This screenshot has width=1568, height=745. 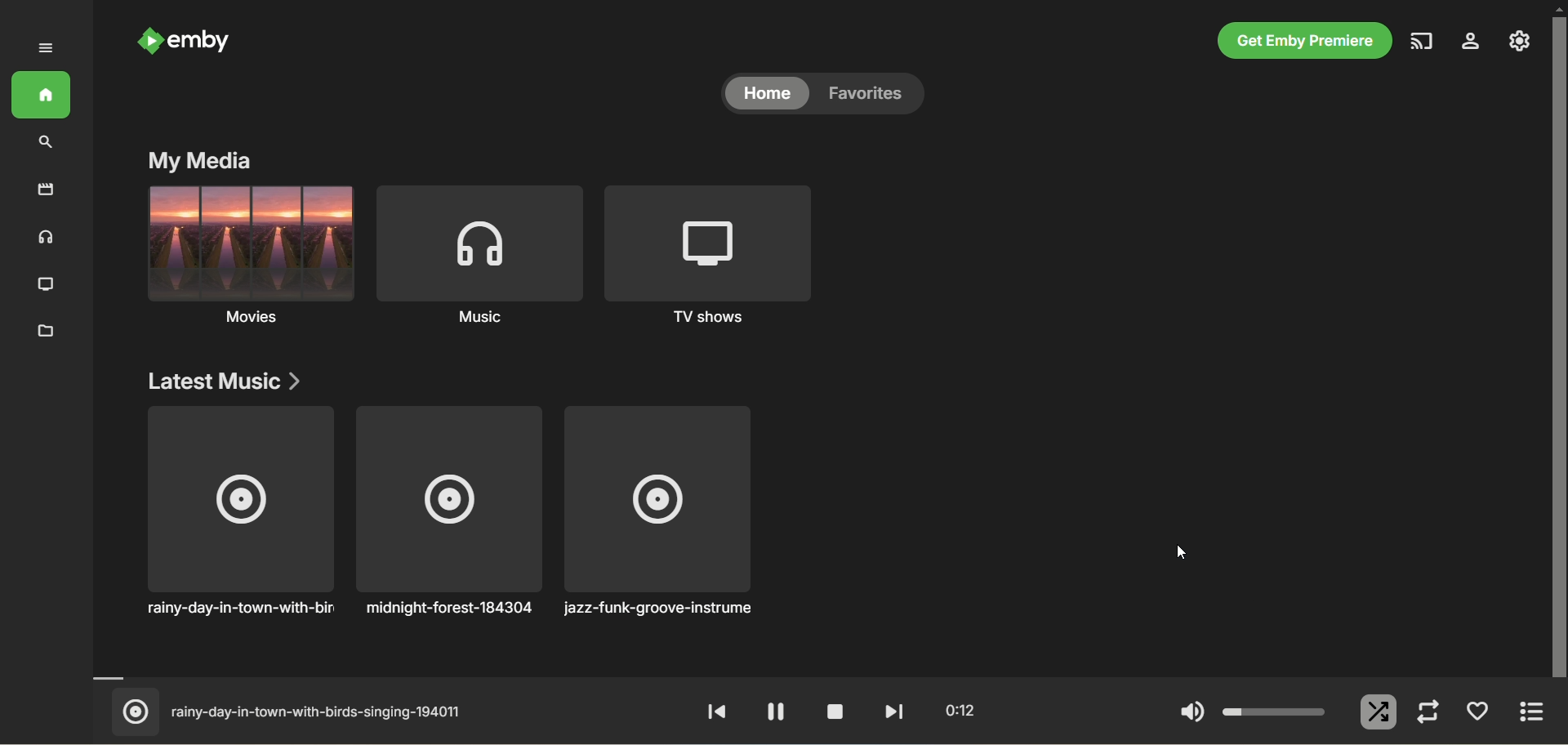 I want to click on expand, so click(x=45, y=48).